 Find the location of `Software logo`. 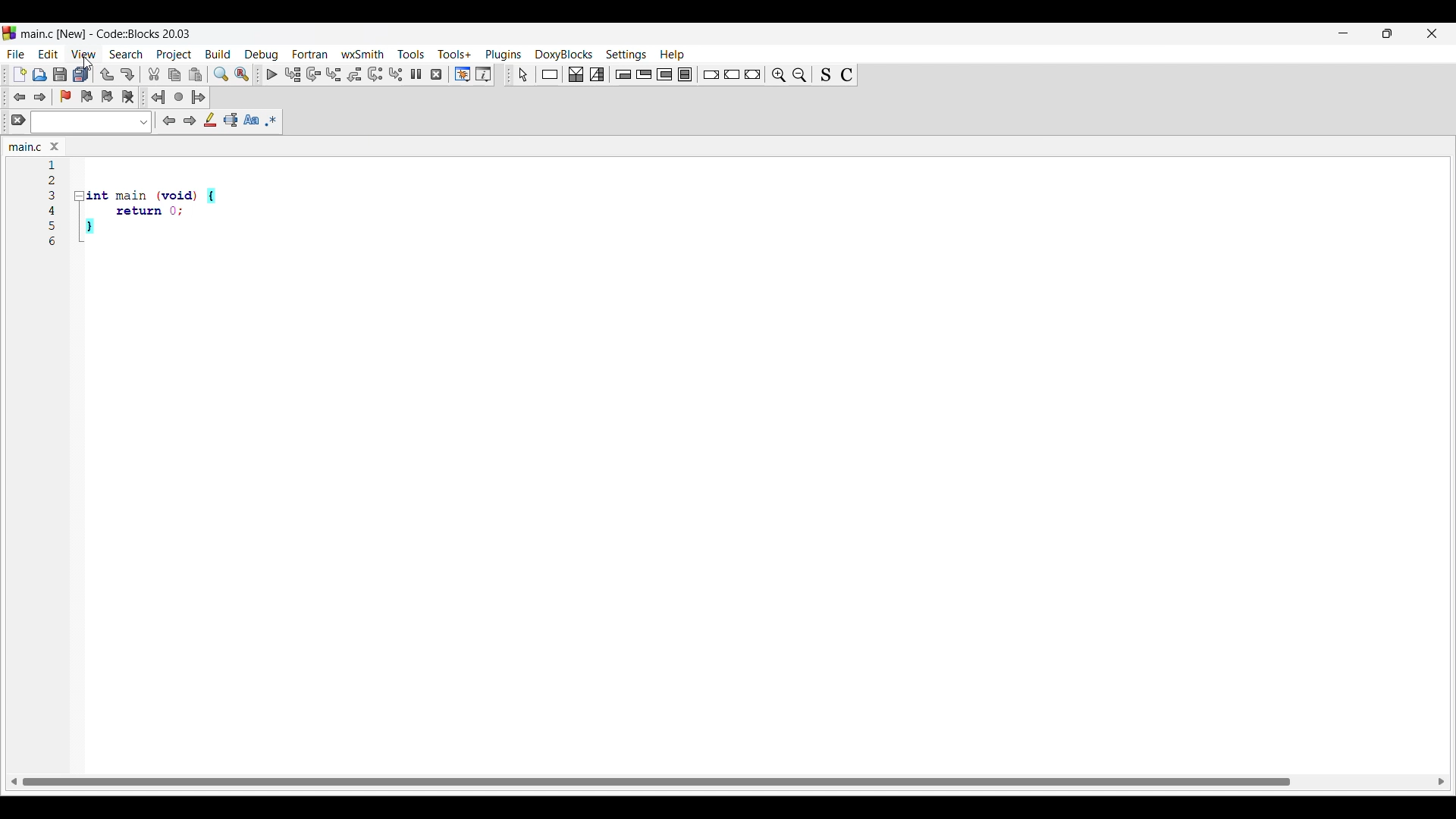

Software logo is located at coordinates (9, 33).